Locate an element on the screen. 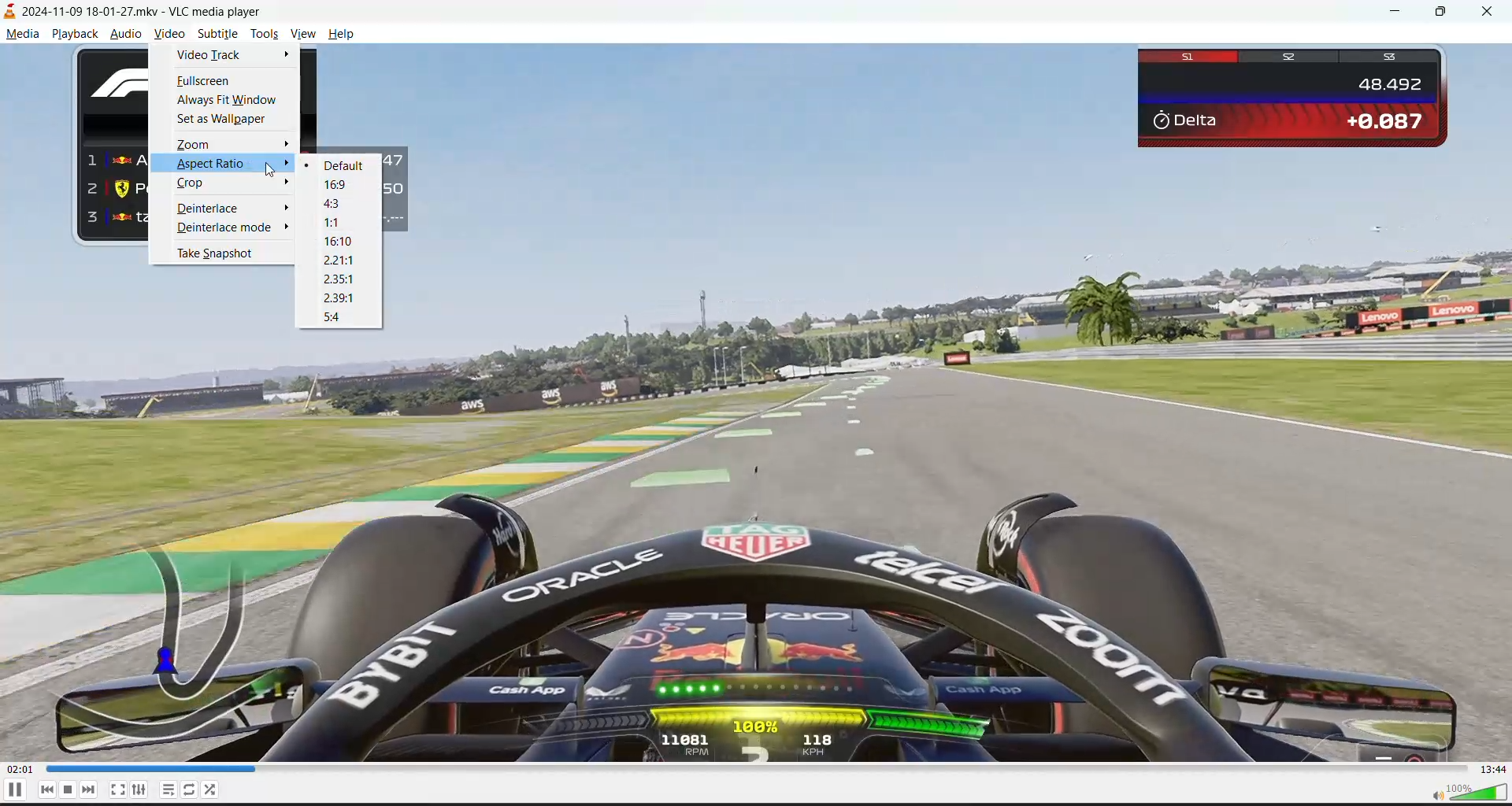  random is located at coordinates (215, 790).